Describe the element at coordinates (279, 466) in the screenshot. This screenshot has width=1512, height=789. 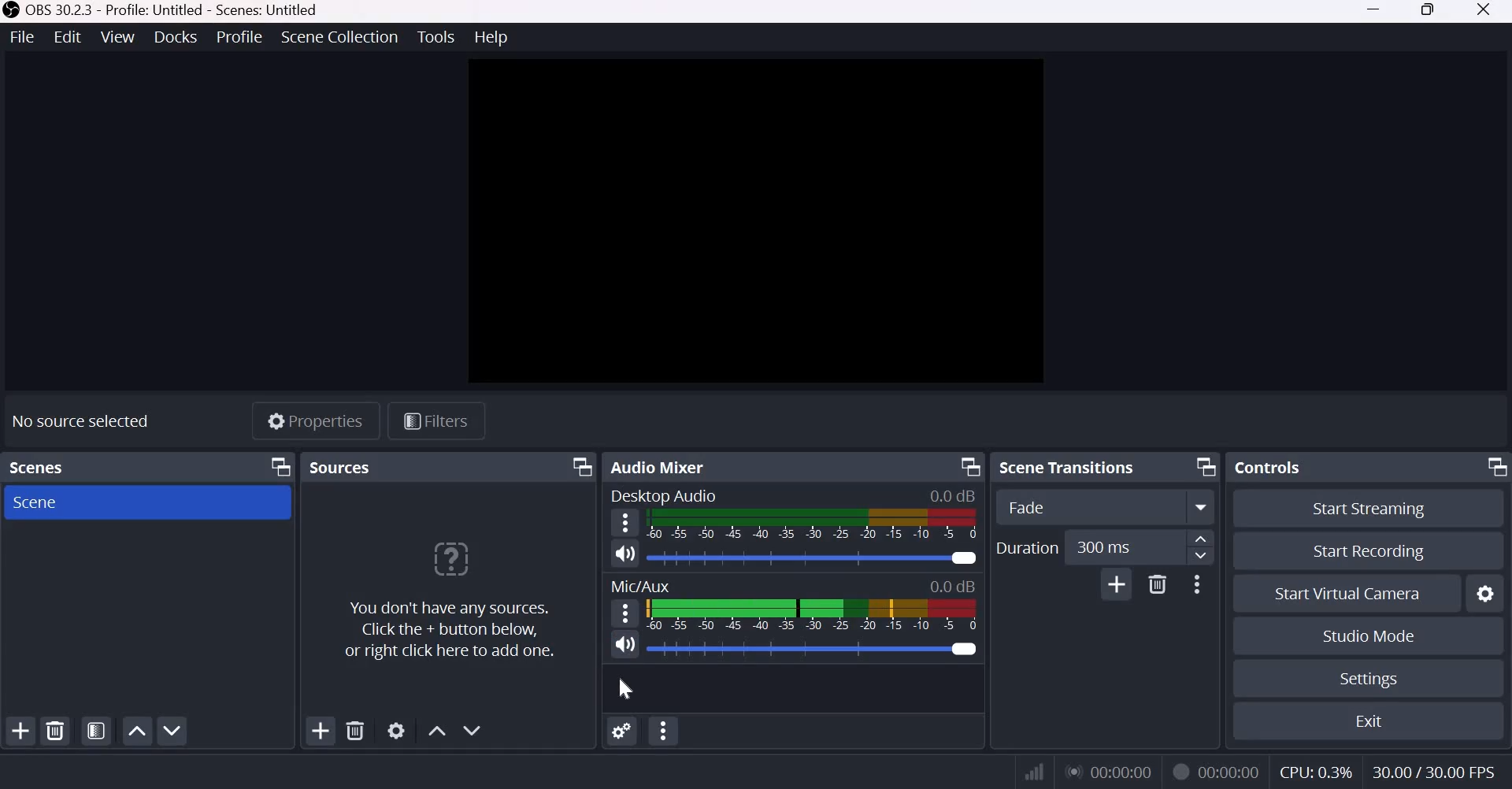
I see `Dock Options icon` at that location.